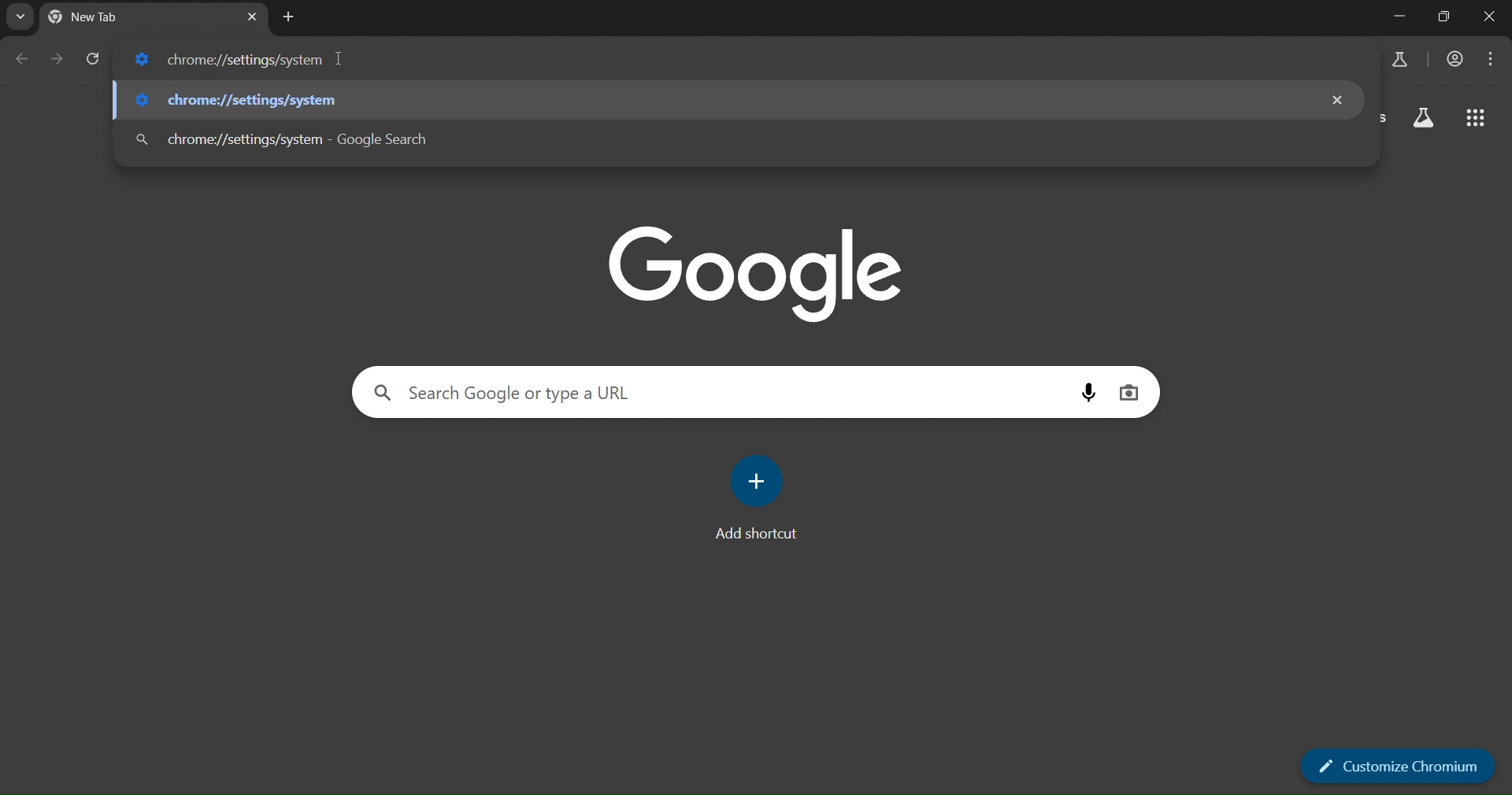  Describe the element at coordinates (337, 65) in the screenshot. I see `cursor` at that location.